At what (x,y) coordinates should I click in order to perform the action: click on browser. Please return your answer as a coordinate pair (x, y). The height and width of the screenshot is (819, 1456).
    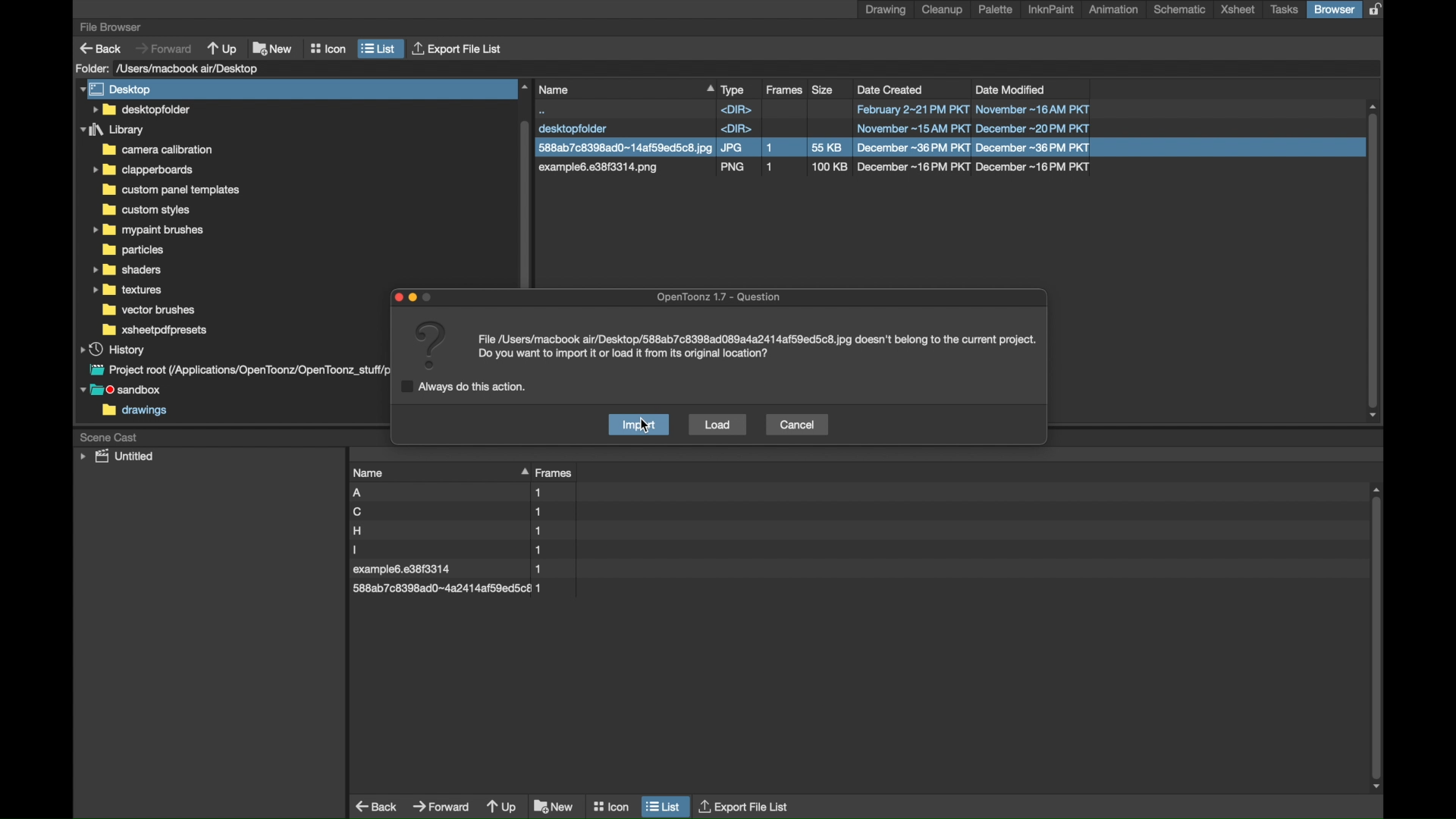
    Looking at the image, I should click on (1334, 9).